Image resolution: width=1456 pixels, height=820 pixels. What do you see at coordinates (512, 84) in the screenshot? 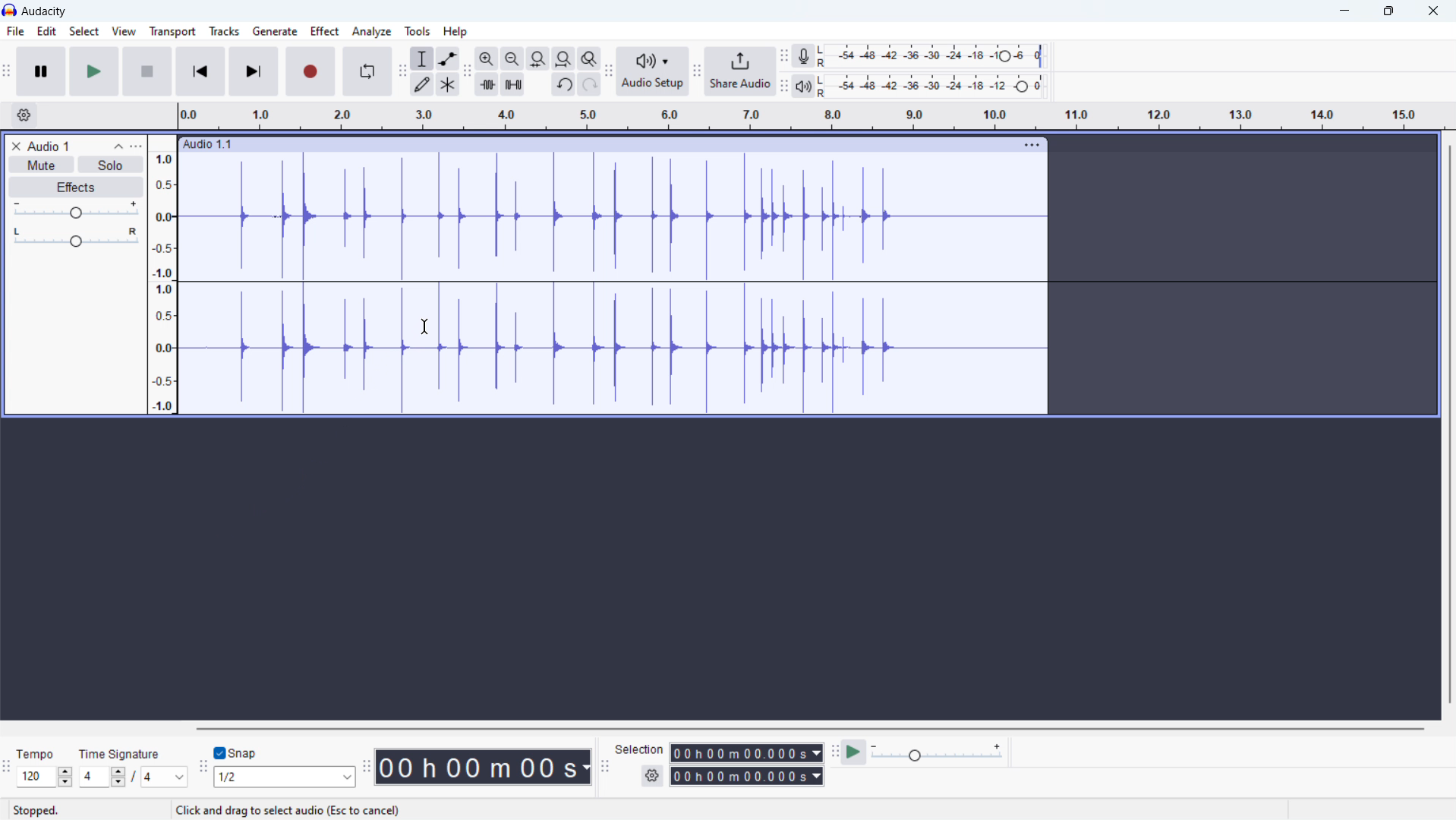
I see `silence audio selection` at bounding box center [512, 84].